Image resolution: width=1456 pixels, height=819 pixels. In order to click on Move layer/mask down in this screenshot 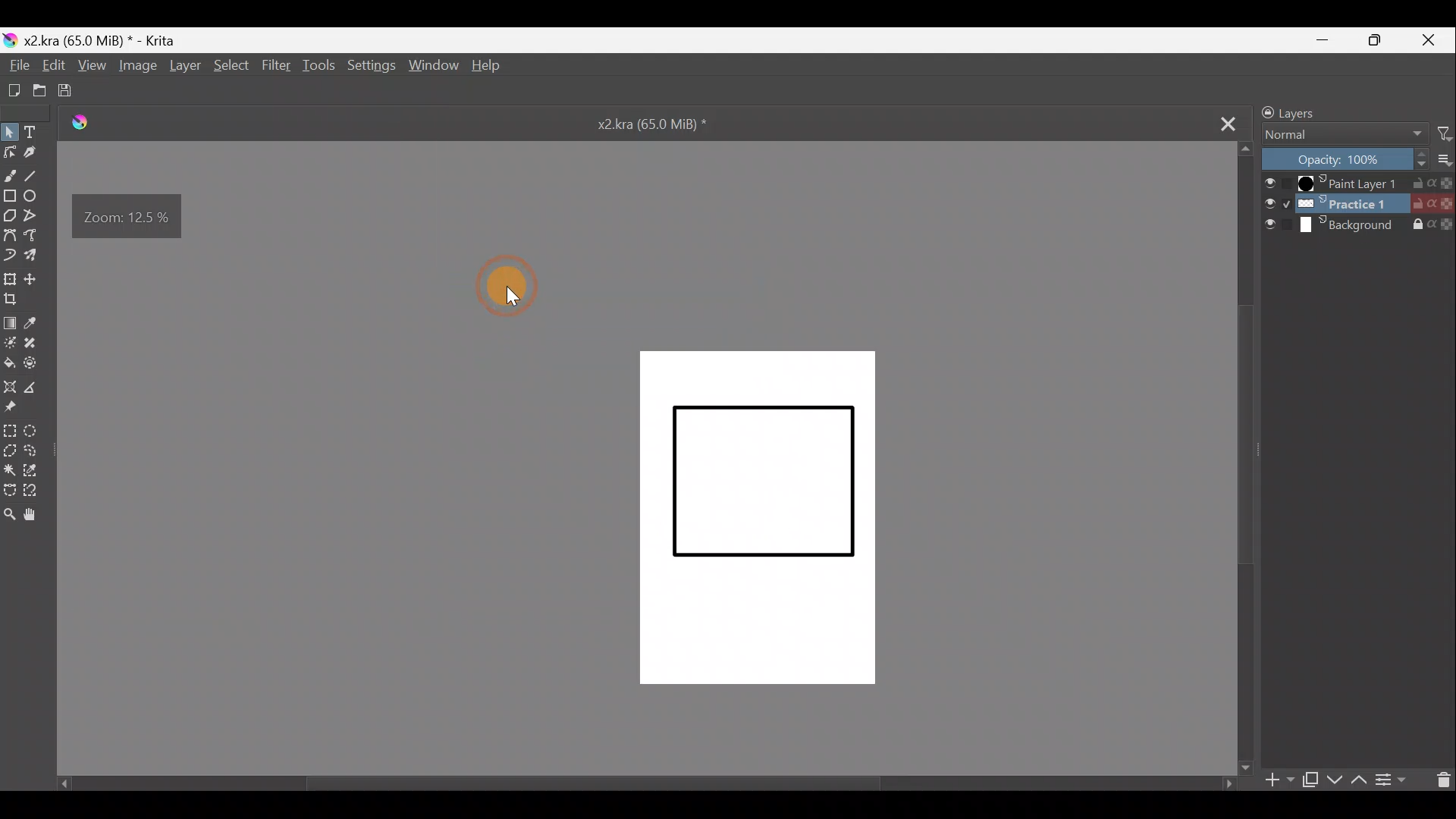, I will do `click(1332, 780)`.